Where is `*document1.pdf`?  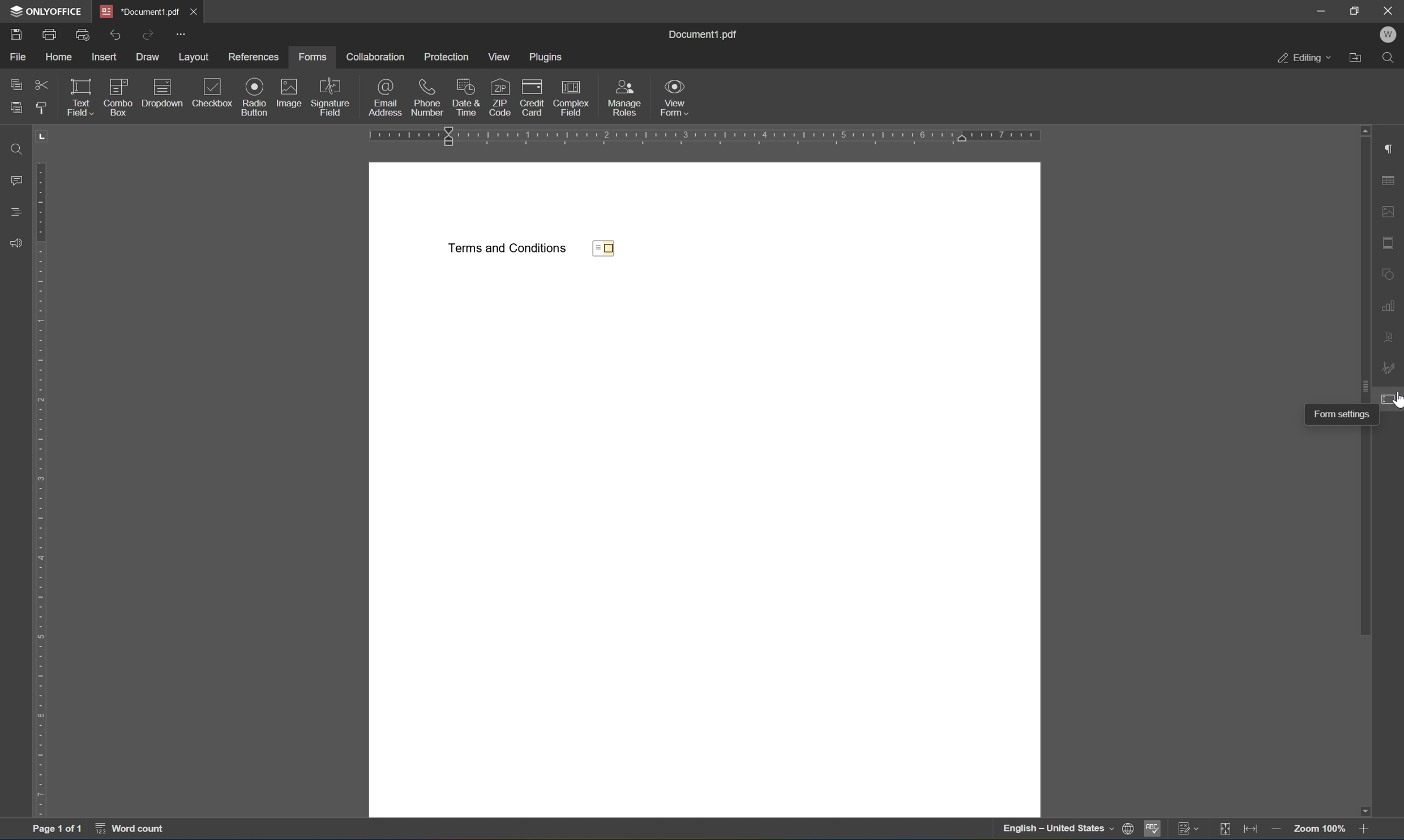 *document1.pdf is located at coordinates (137, 11).